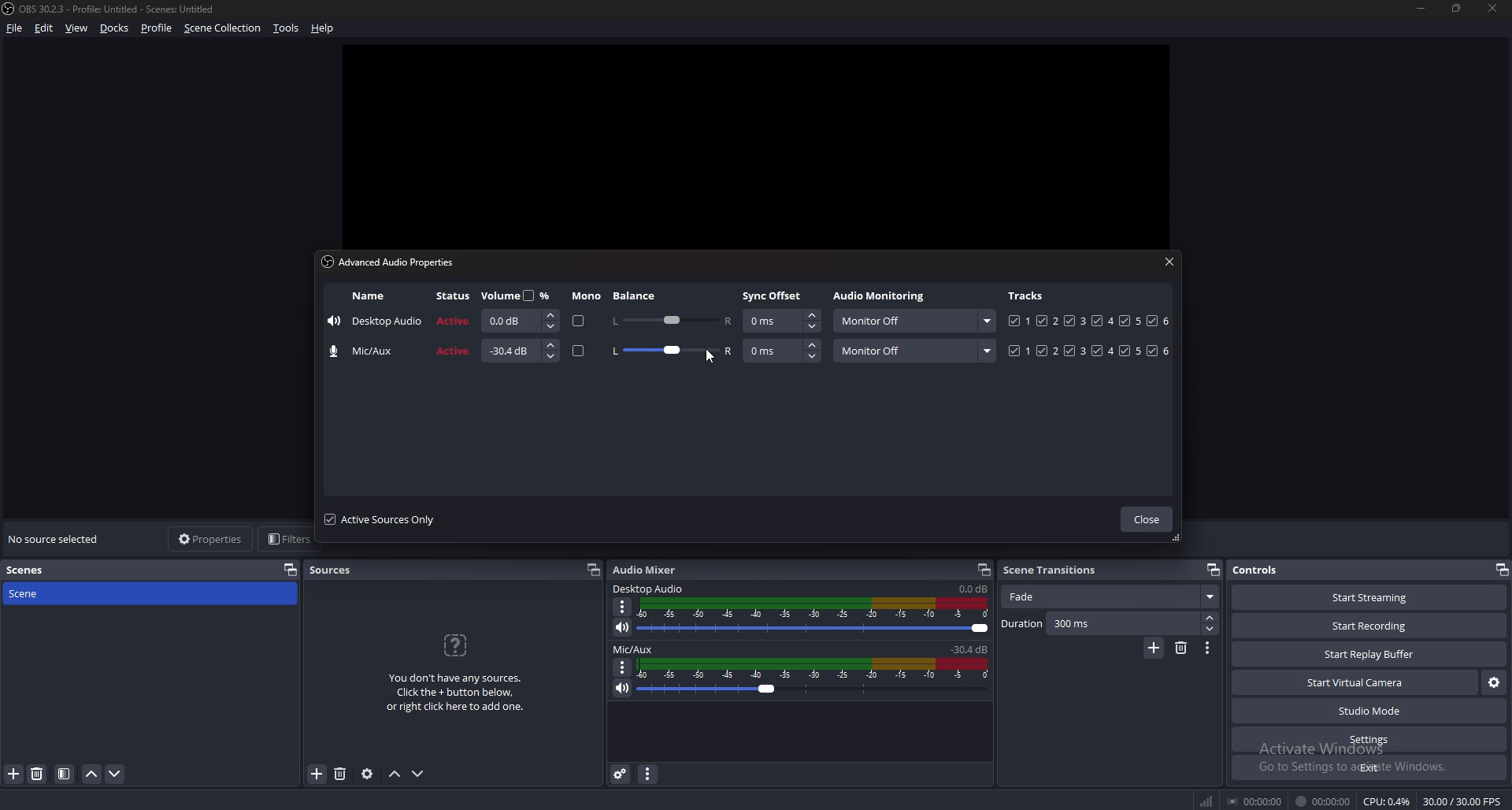  What do you see at coordinates (393, 264) in the screenshot?
I see `advanced audio properties` at bounding box center [393, 264].